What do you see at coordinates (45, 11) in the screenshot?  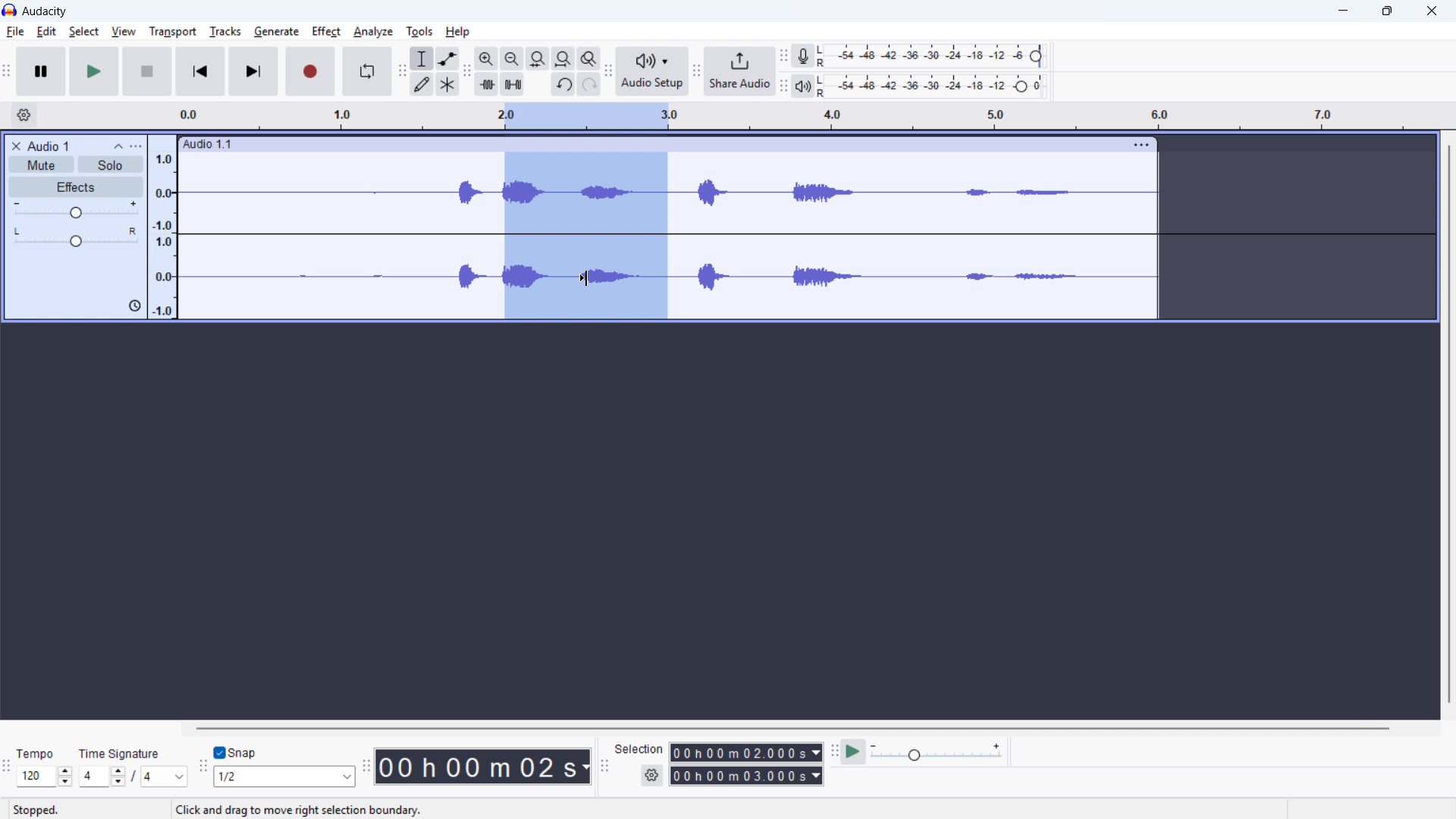 I see `audacity` at bounding box center [45, 11].